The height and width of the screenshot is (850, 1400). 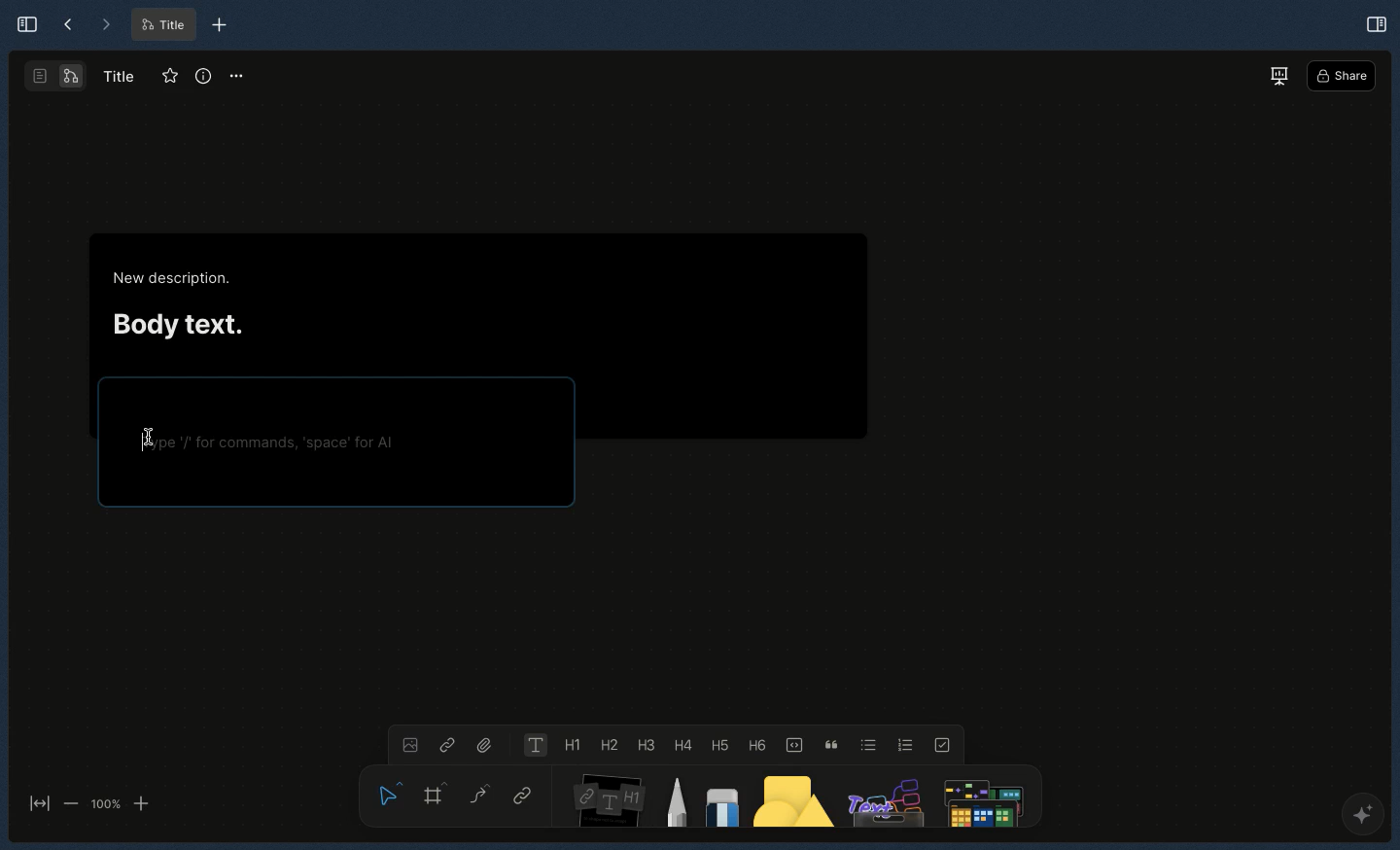 What do you see at coordinates (478, 793) in the screenshot?
I see `Curve` at bounding box center [478, 793].